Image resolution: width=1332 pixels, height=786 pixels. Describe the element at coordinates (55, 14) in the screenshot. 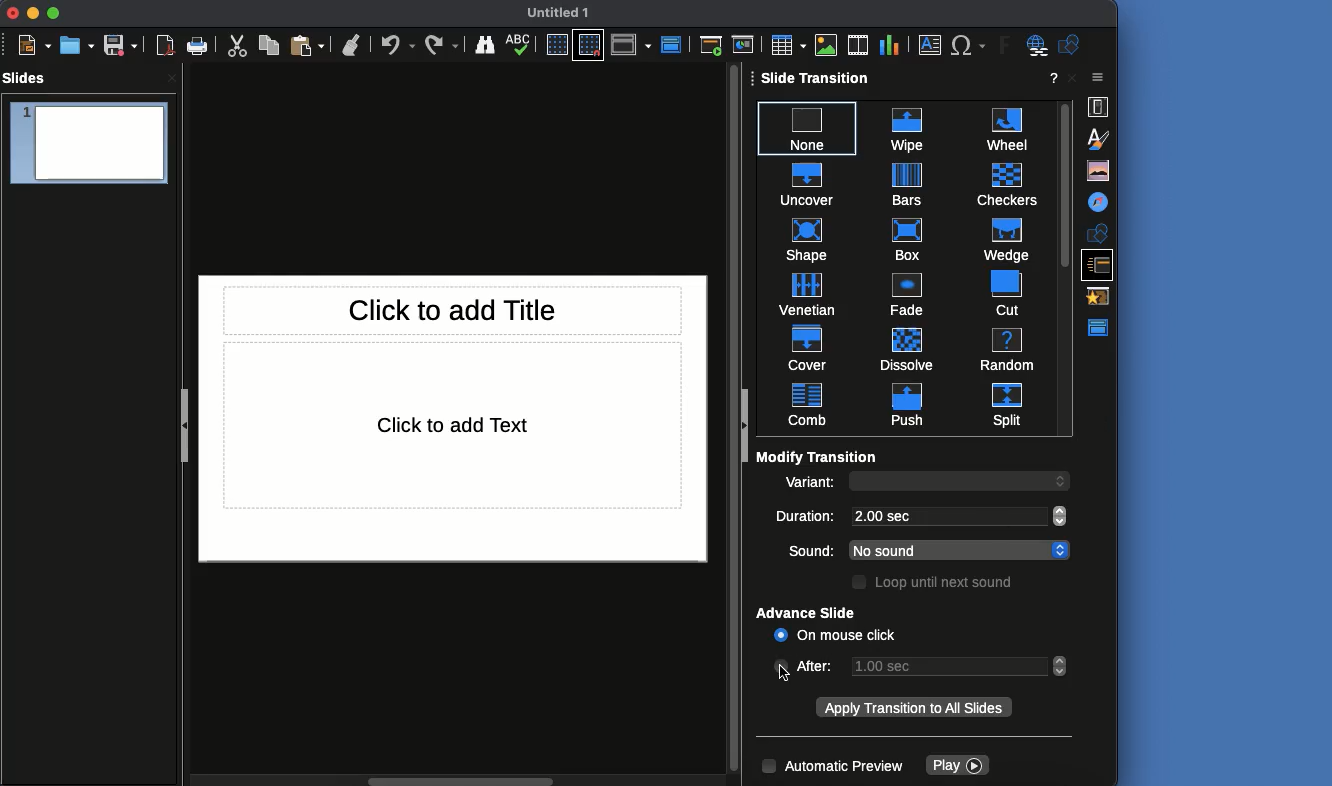

I see `Maximize` at that location.